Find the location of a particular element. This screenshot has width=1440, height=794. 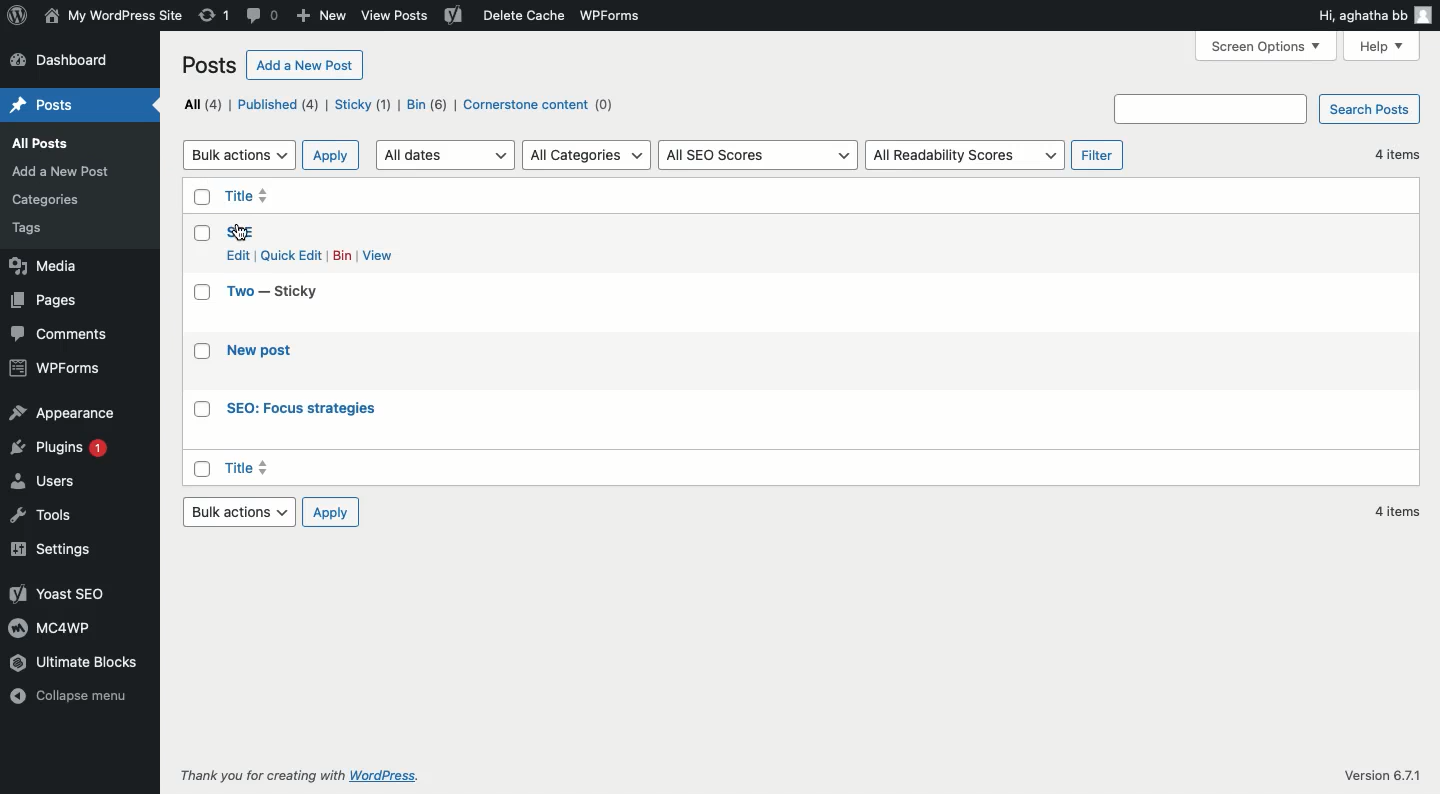

New post is located at coordinates (272, 354).